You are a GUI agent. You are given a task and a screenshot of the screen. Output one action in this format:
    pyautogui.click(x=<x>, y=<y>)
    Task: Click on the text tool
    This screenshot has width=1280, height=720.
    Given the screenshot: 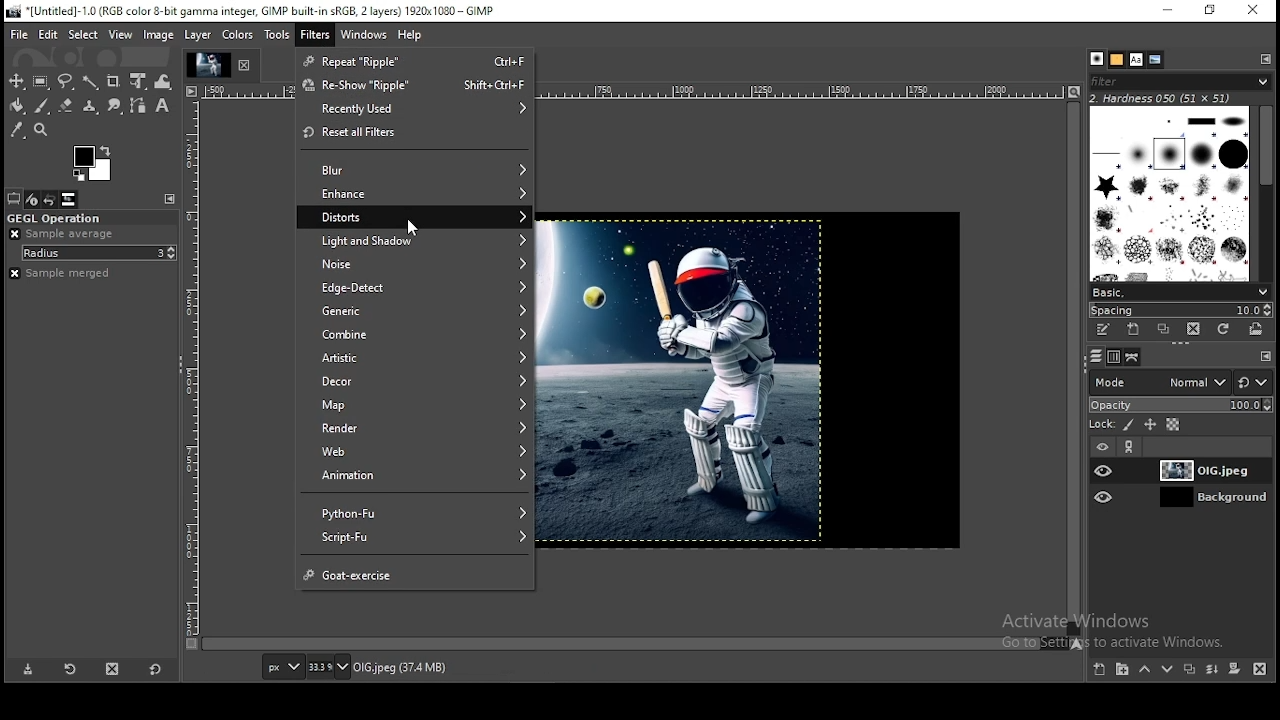 What is the action you would take?
    pyautogui.click(x=162, y=106)
    